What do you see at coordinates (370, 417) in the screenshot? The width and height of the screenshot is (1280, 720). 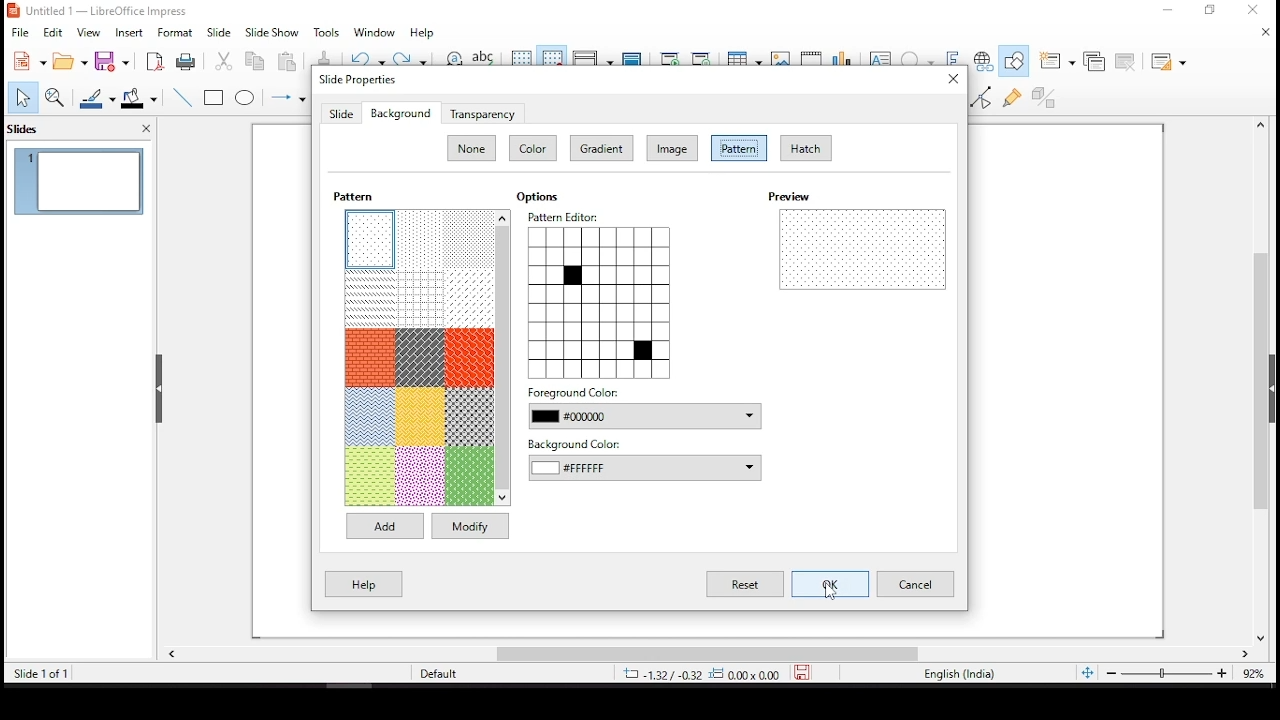 I see `pattern` at bounding box center [370, 417].